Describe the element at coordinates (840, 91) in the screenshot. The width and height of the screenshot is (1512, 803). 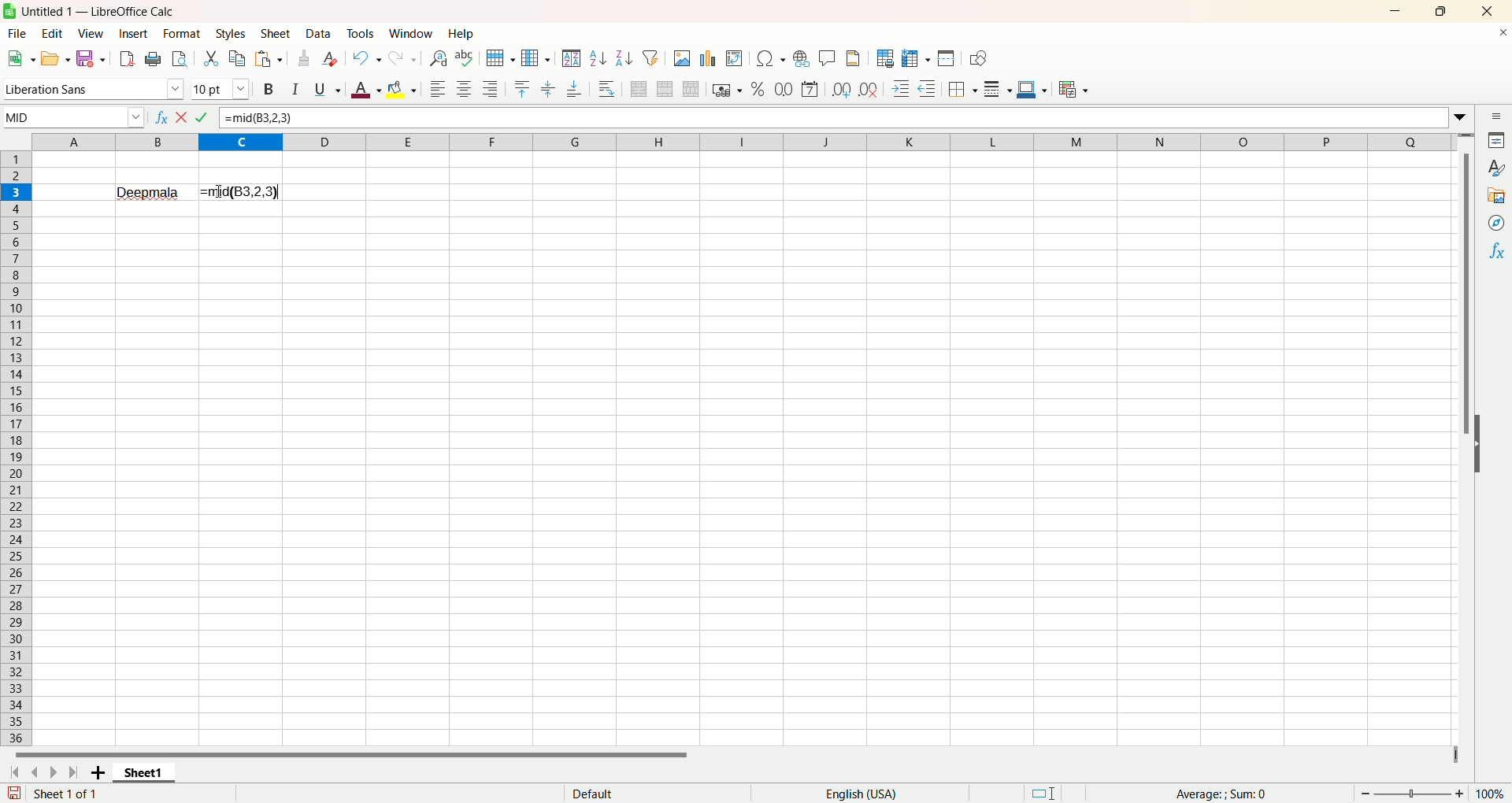
I see `Add decimal place` at that location.